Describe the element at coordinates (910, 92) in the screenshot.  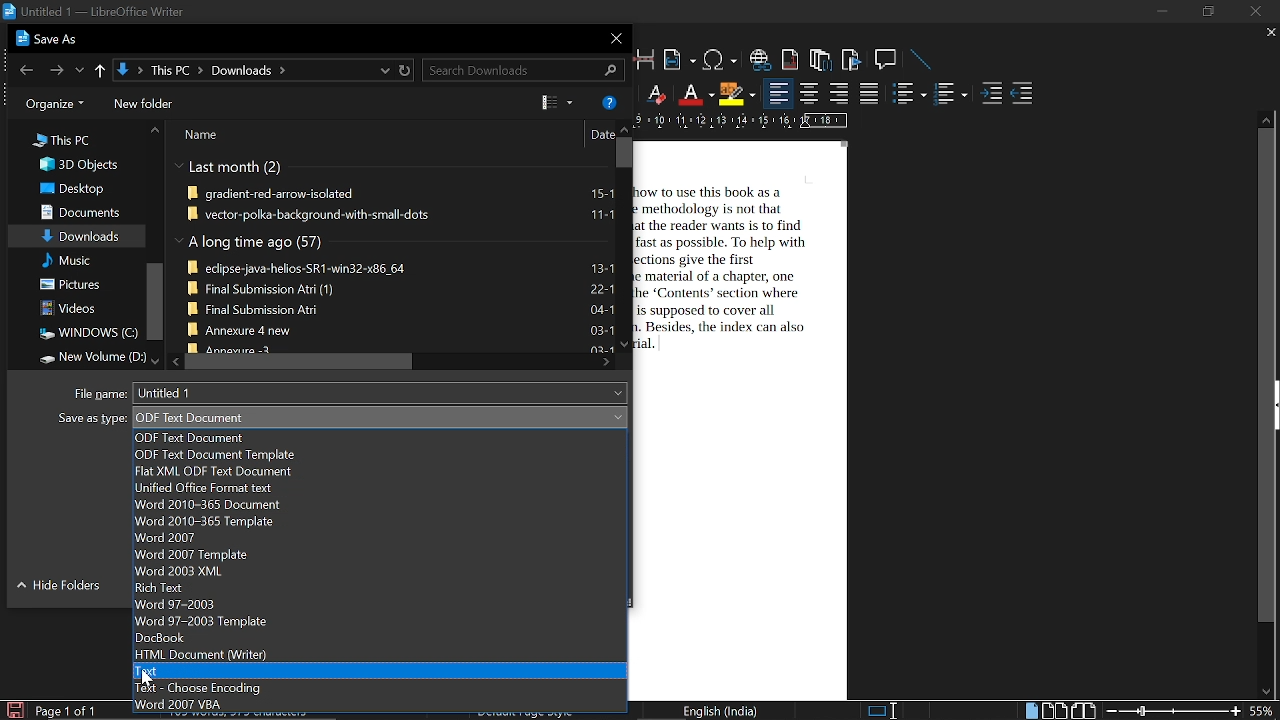
I see `toggle ordered list` at that location.